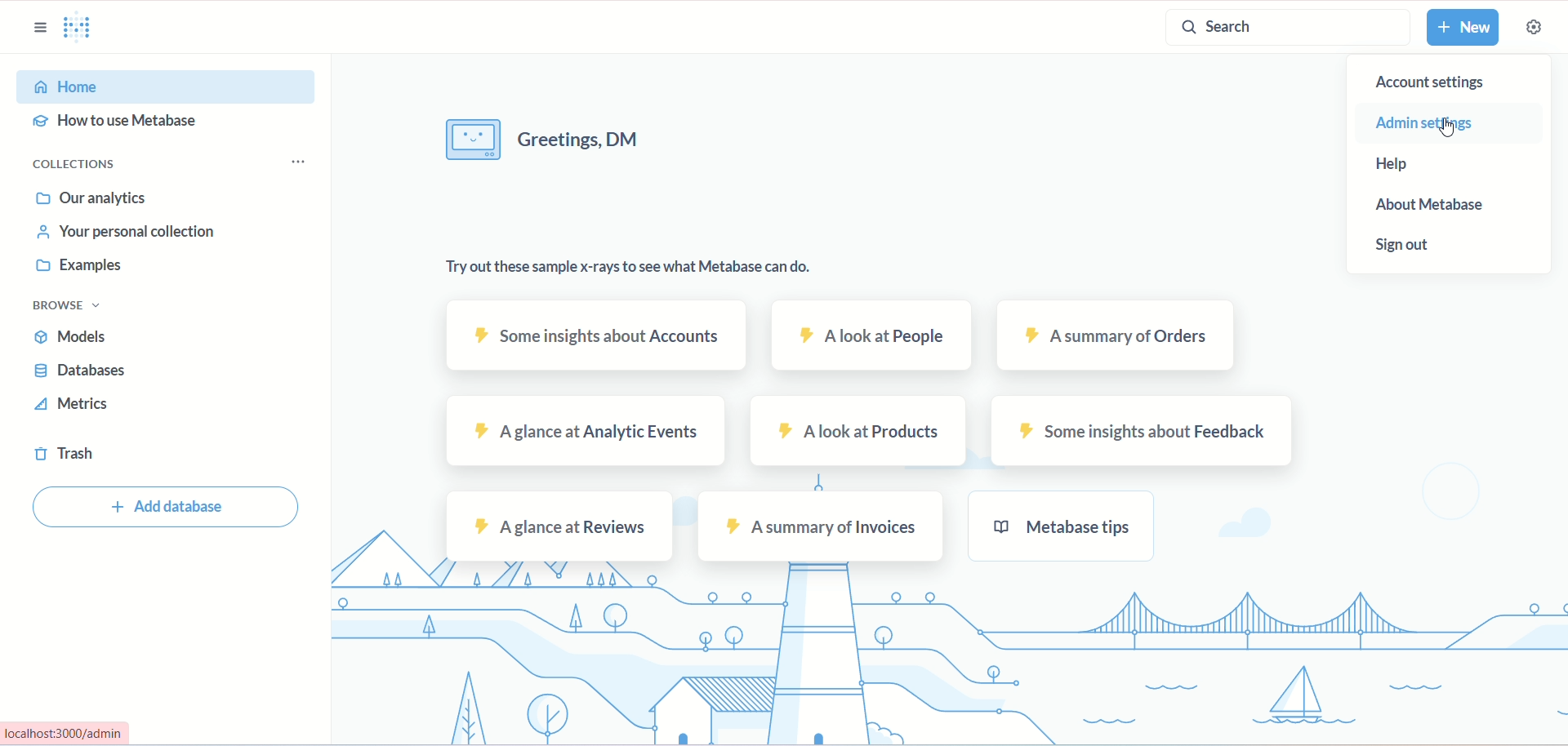 This screenshot has width=1568, height=746. I want to click on settings, so click(1535, 27).